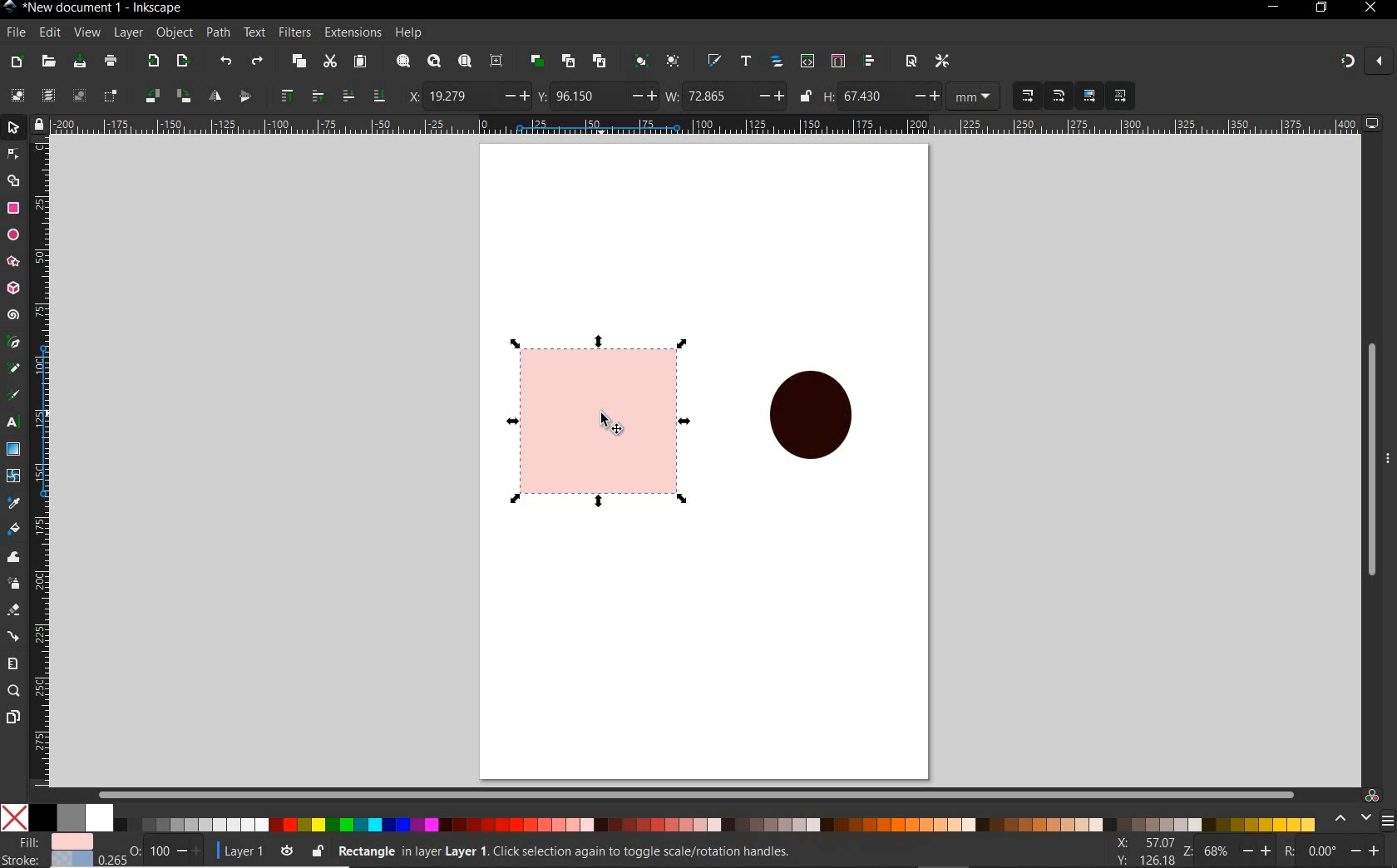  What do you see at coordinates (41, 461) in the screenshot?
I see `ruler` at bounding box center [41, 461].